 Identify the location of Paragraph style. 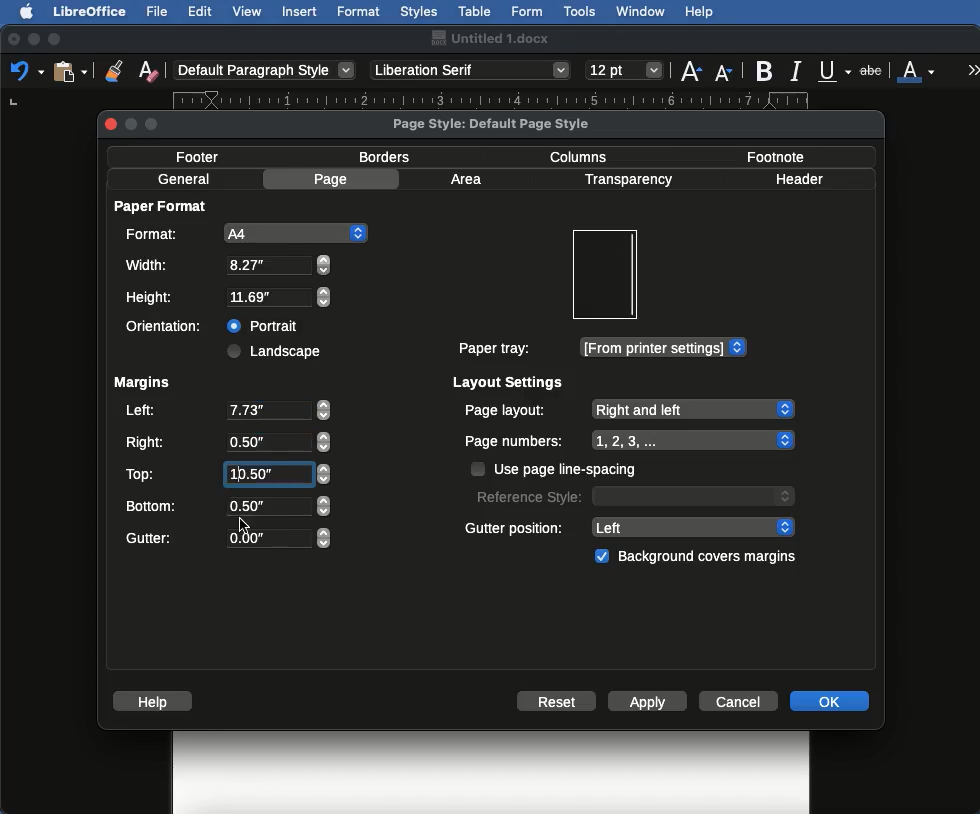
(266, 70).